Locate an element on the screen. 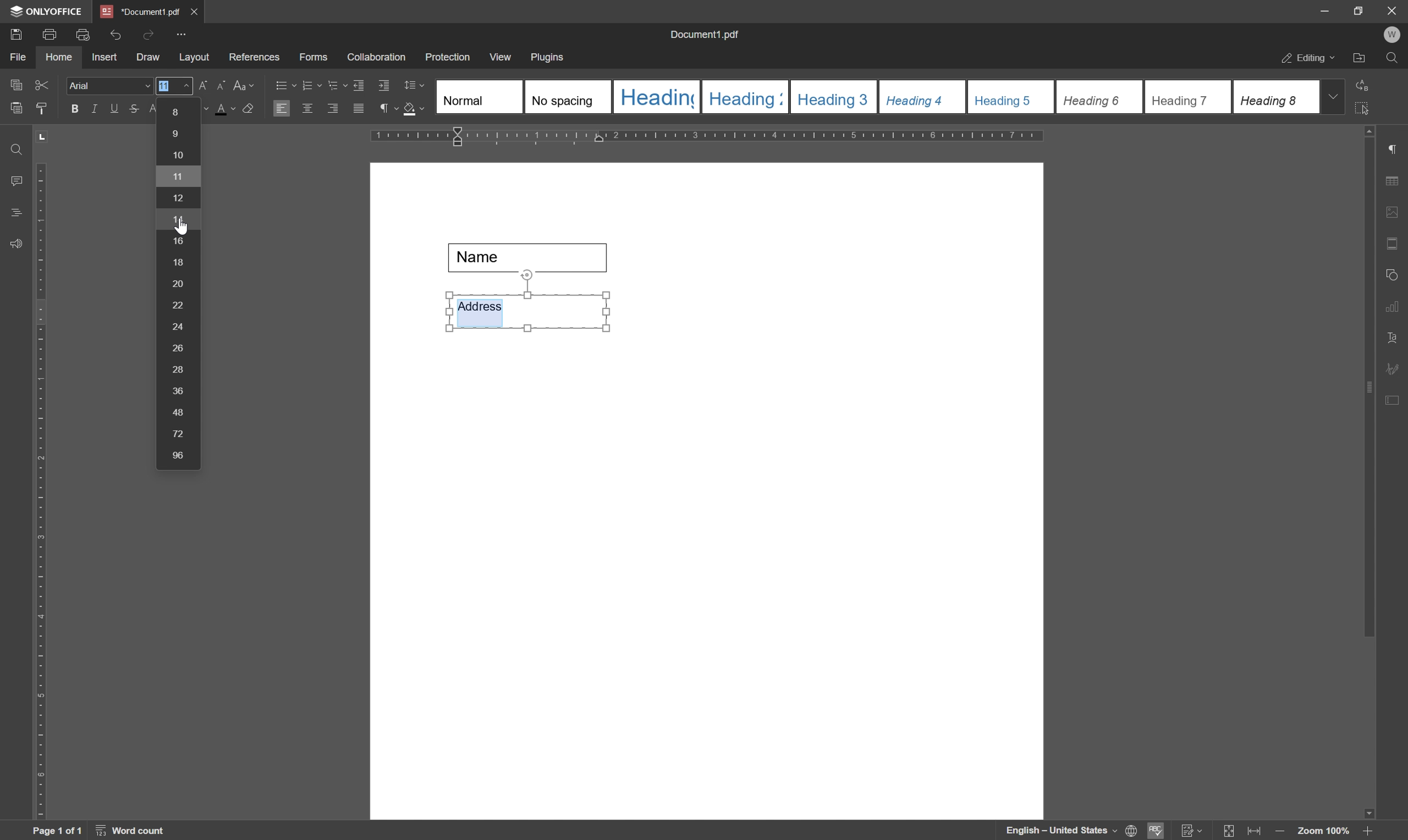  comments is located at coordinates (14, 181).